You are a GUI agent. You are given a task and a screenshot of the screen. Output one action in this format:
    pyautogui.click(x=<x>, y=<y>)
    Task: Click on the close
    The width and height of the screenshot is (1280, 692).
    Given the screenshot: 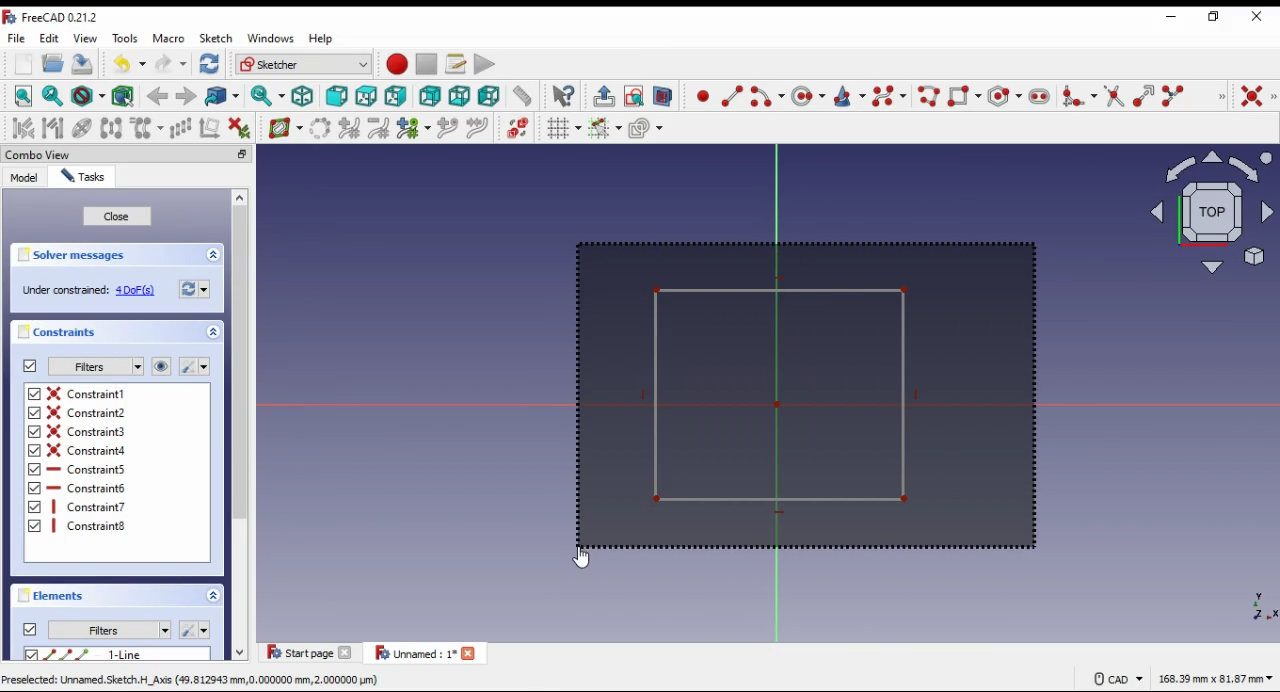 What is the action you would take?
    pyautogui.click(x=117, y=217)
    